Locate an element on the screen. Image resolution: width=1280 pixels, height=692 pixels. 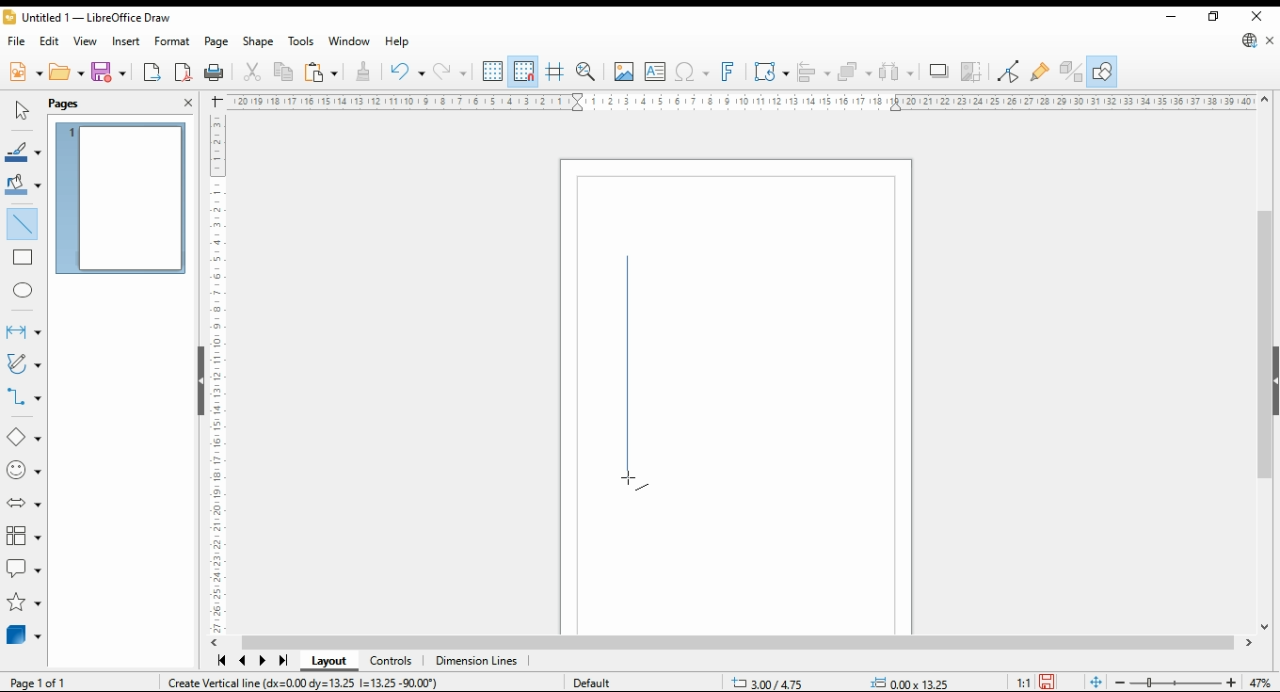
insert textbox is located at coordinates (655, 73).